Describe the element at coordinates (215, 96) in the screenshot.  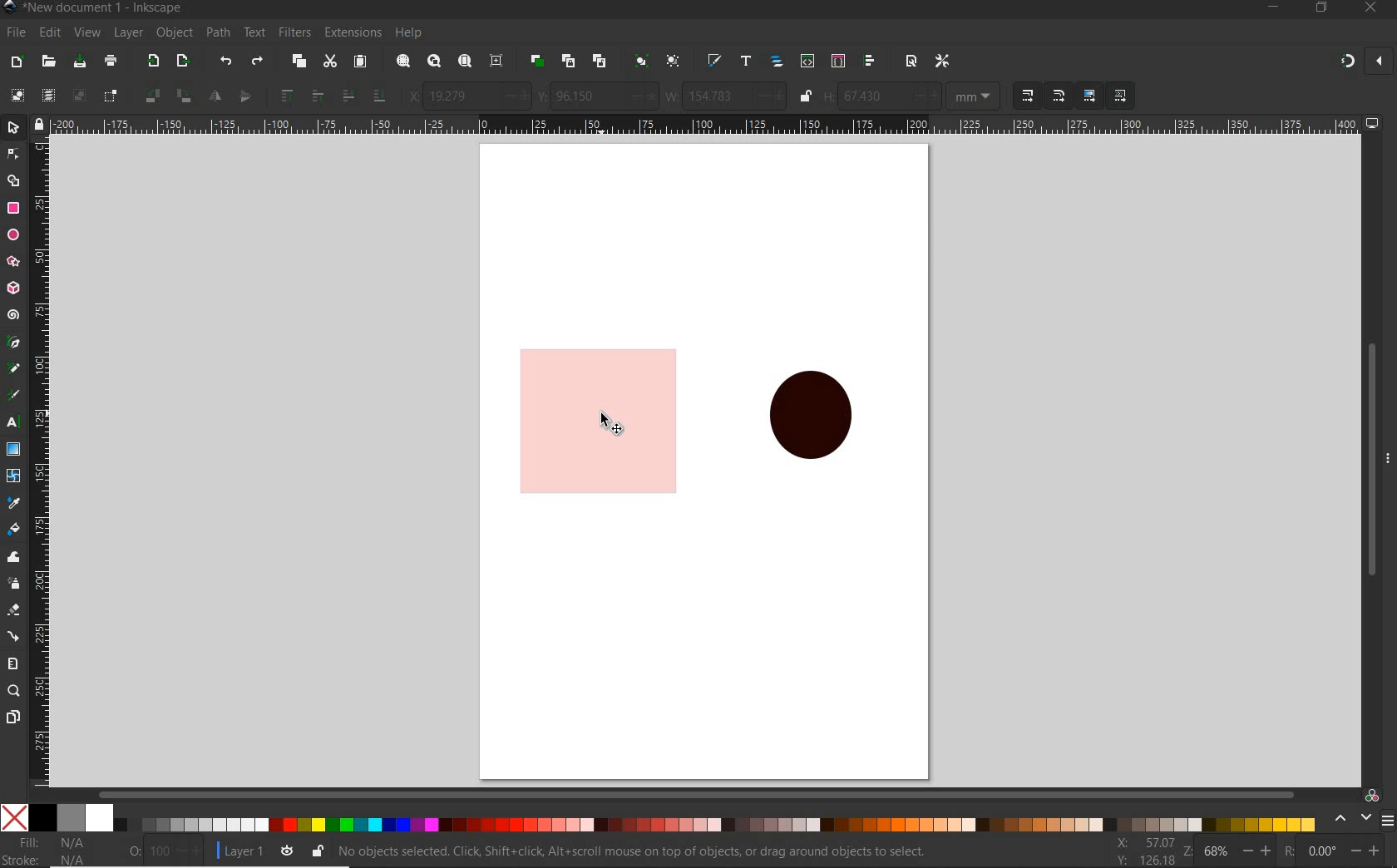
I see `object flip horizontal` at that location.